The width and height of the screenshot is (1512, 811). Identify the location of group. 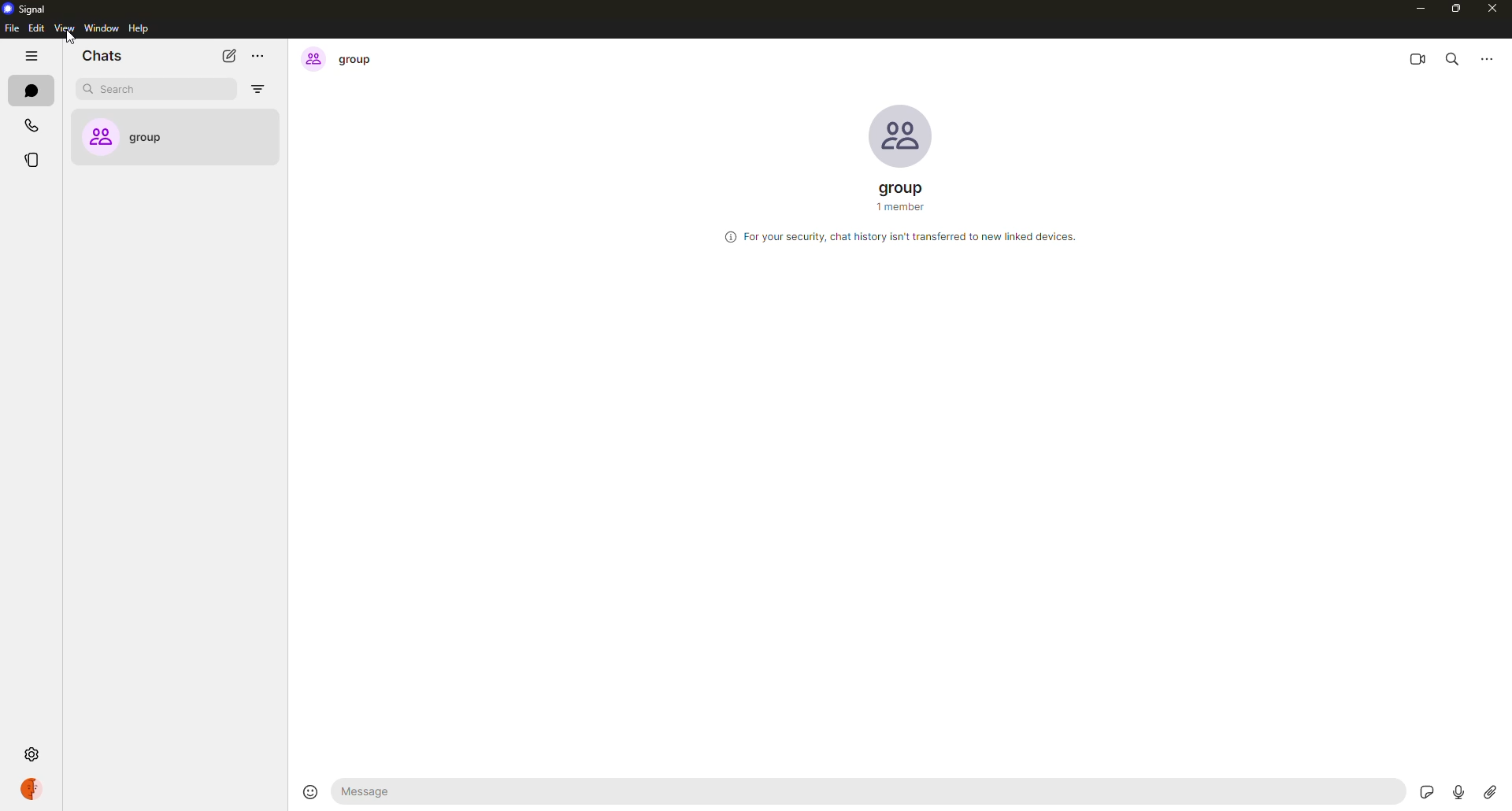
(339, 60).